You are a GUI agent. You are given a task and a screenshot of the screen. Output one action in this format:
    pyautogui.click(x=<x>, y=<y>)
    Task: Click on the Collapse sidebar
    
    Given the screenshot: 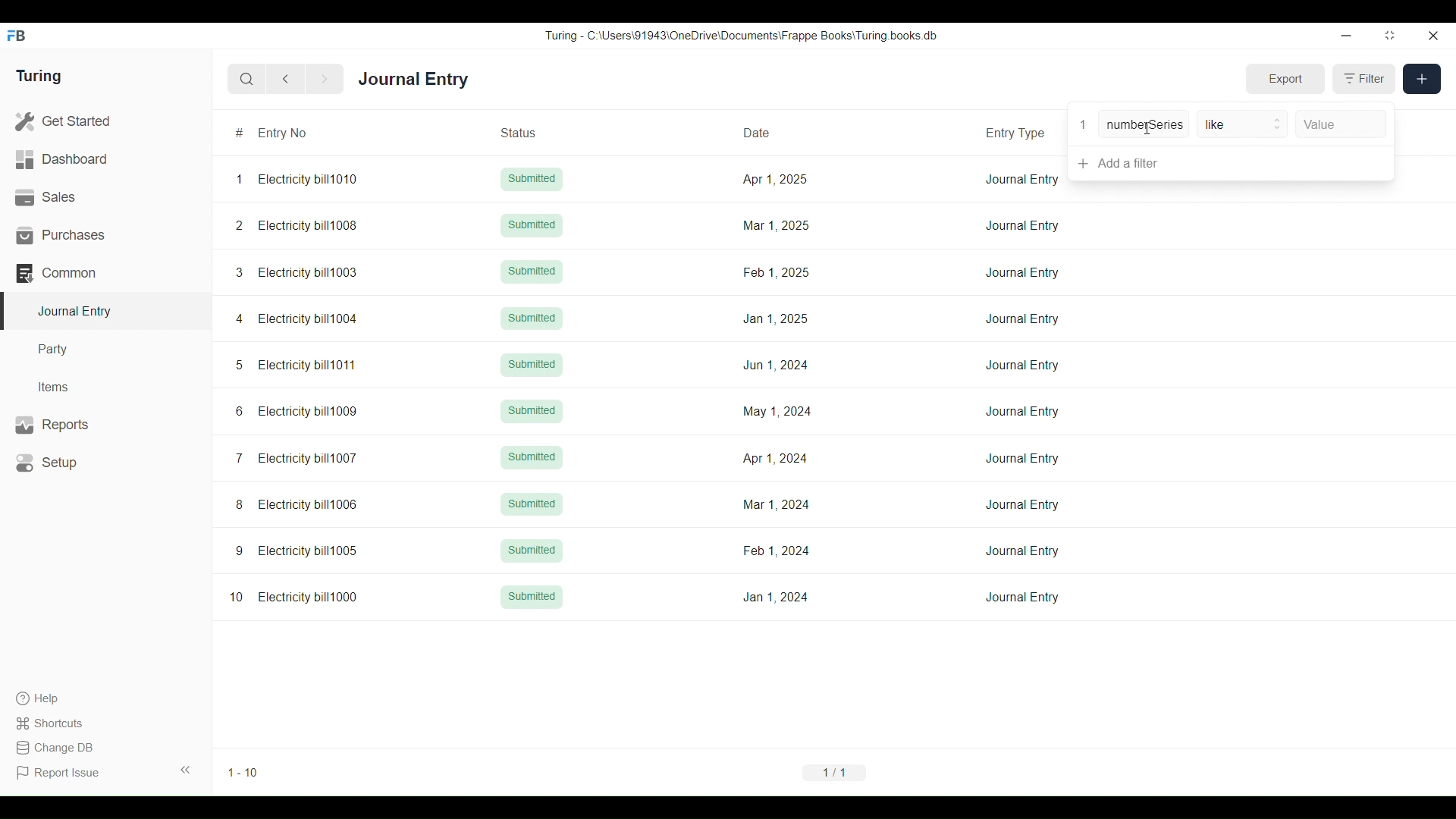 What is the action you would take?
    pyautogui.click(x=186, y=770)
    